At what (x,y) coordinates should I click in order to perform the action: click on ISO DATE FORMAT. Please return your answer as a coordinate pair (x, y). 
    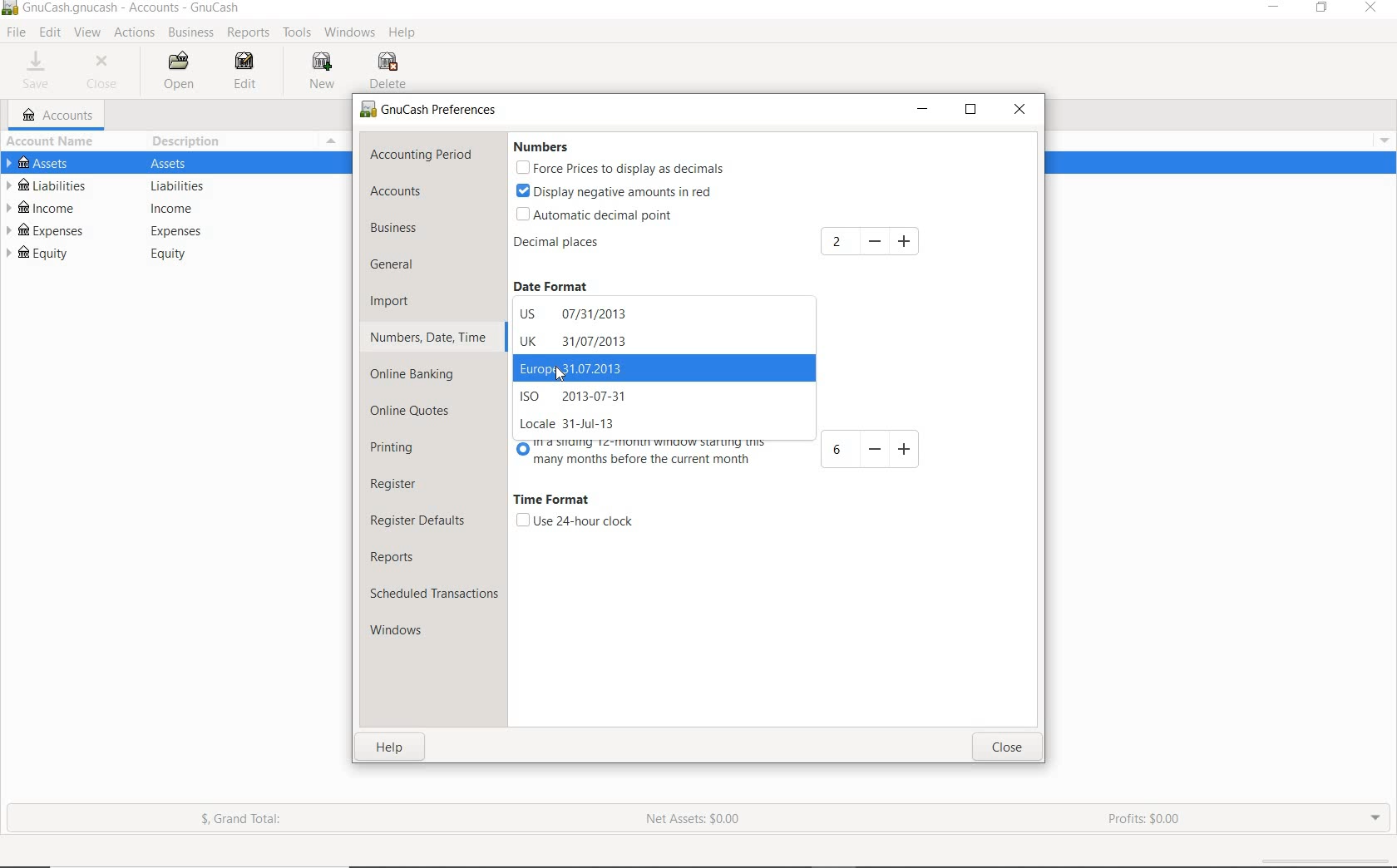
    Looking at the image, I should click on (584, 397).